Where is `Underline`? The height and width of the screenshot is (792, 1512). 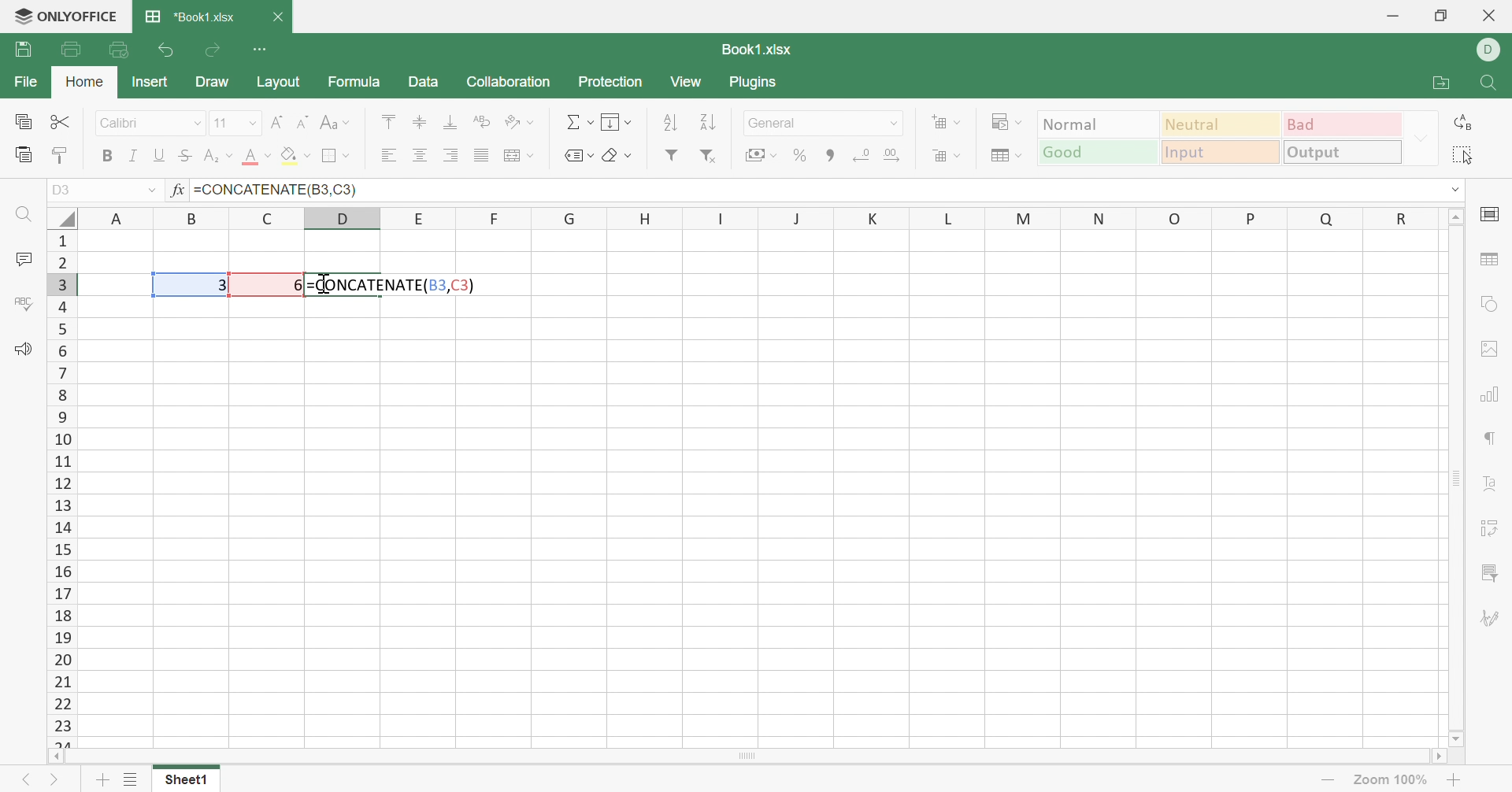 Underline is located at coordinates (160, 157).